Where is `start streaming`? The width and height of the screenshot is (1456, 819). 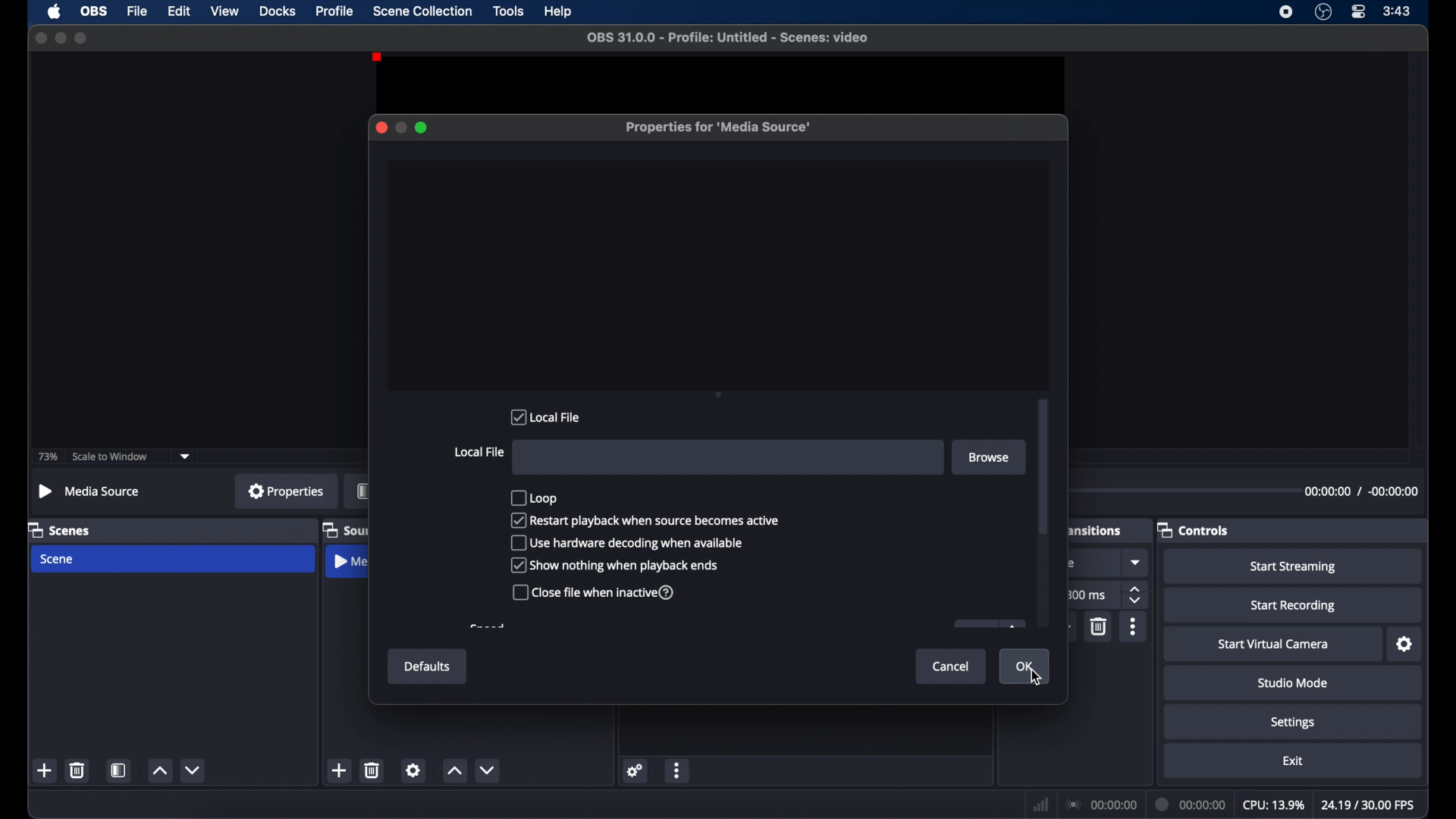
start streaming is located at coordinates (1294, 567).